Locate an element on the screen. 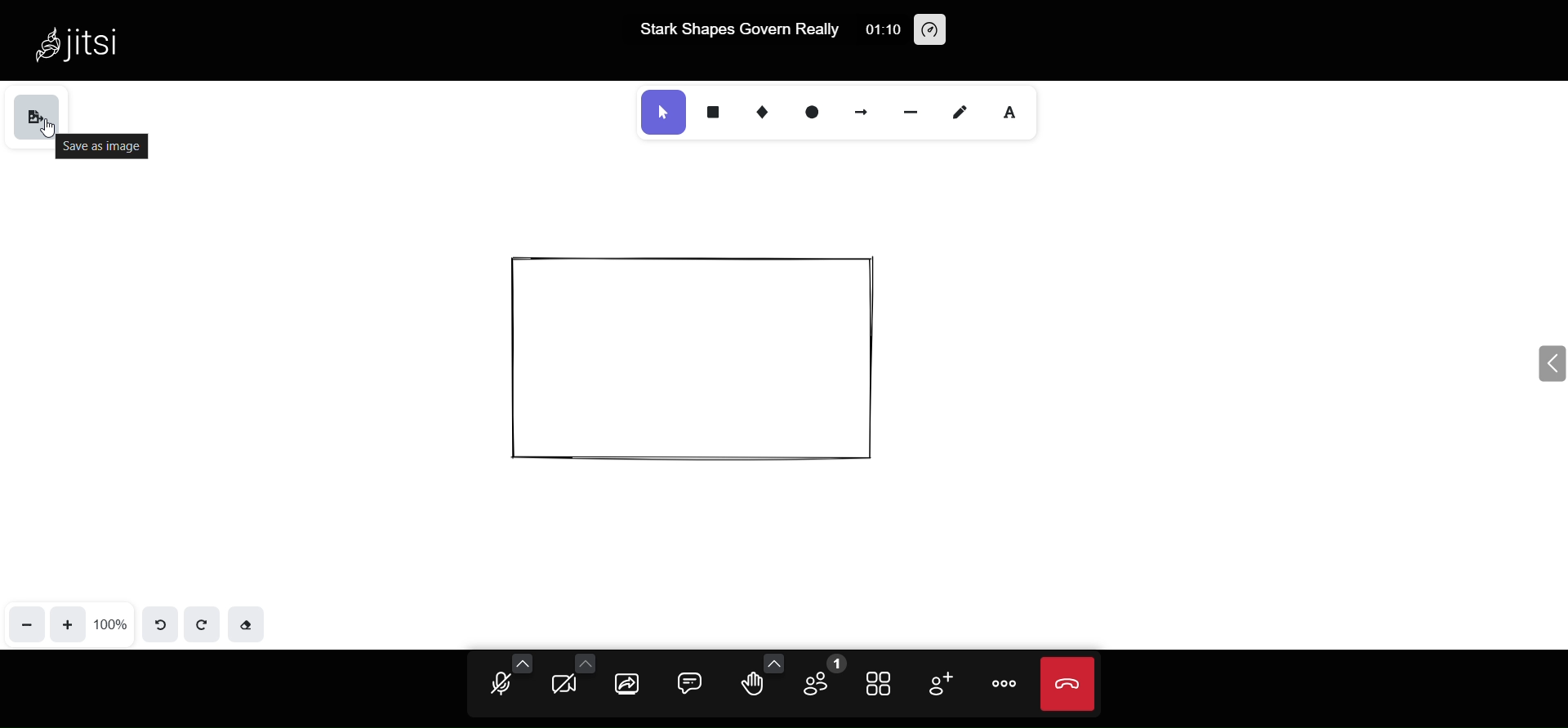 This screenshot has width=1568, height=728. more emoji is located at coordinates (770, 661).